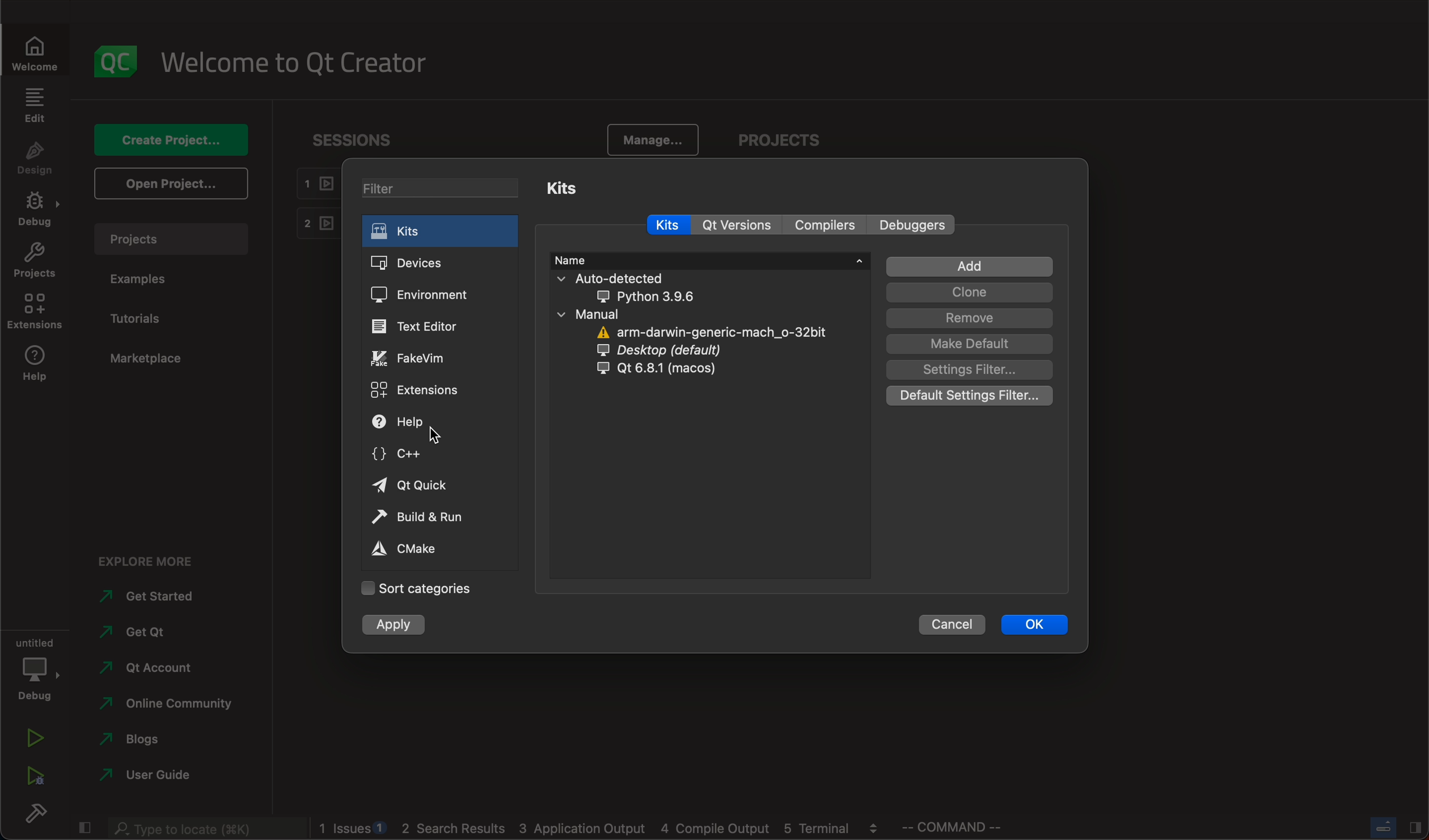 The height and width of the screenshot is (840, 1429). I want to click on debuggers, so click(910, 223).